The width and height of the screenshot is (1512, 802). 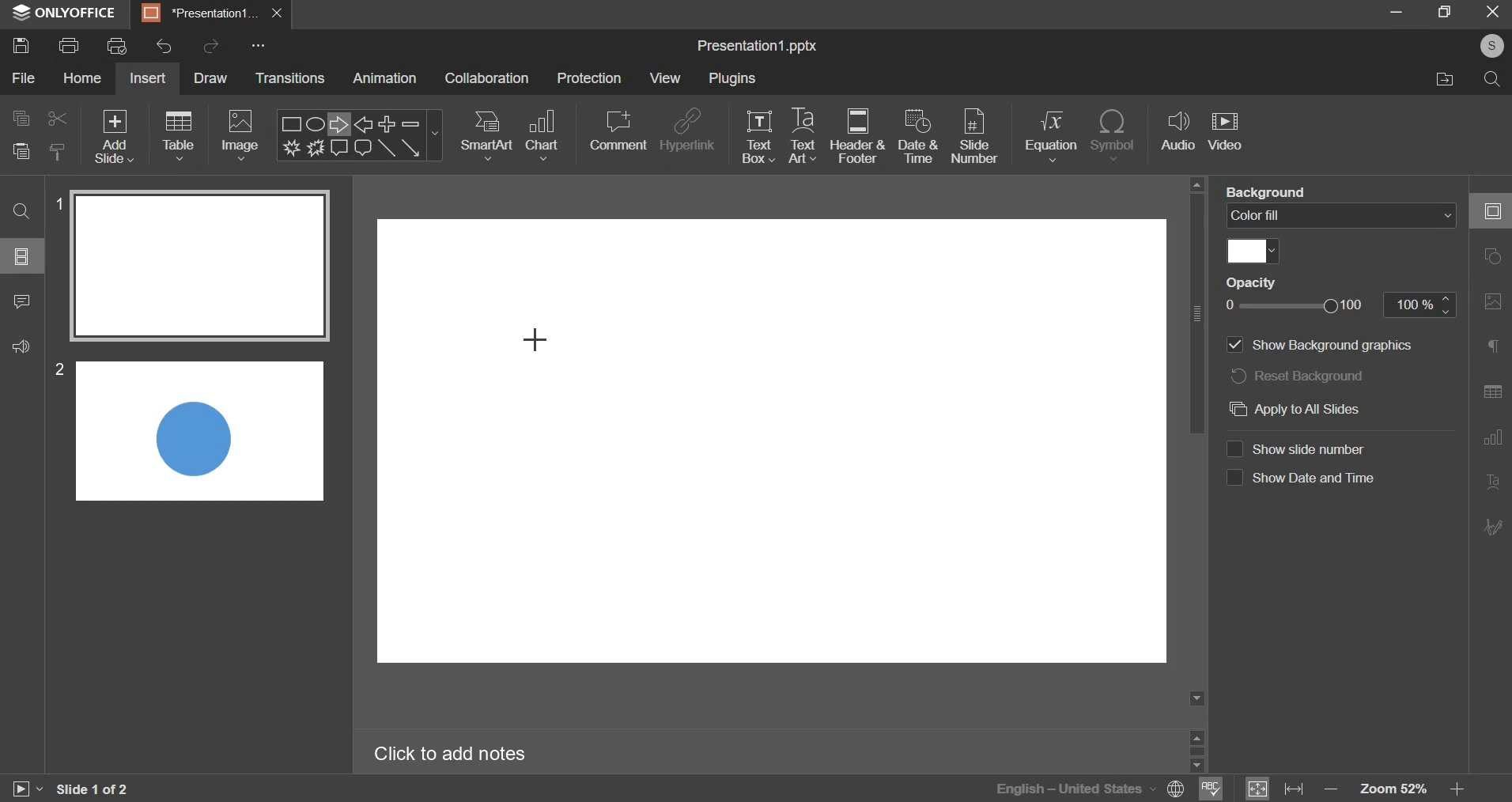 What do you see at coordinates (733, 78) in the screenshot?
I see `plugins` at bounding box center [733, 78].